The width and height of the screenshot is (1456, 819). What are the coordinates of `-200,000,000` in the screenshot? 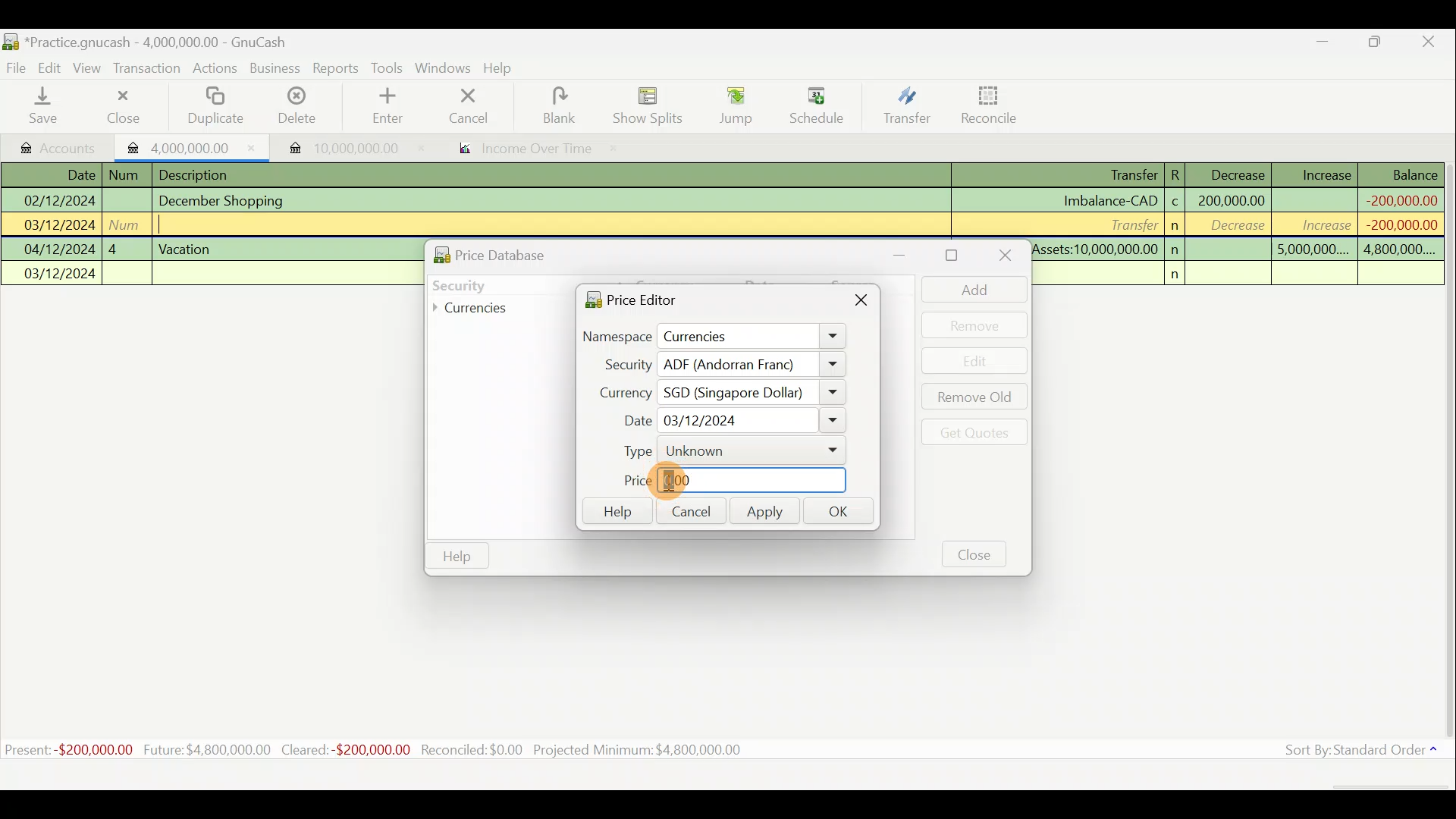 It's located at (1396, 224).